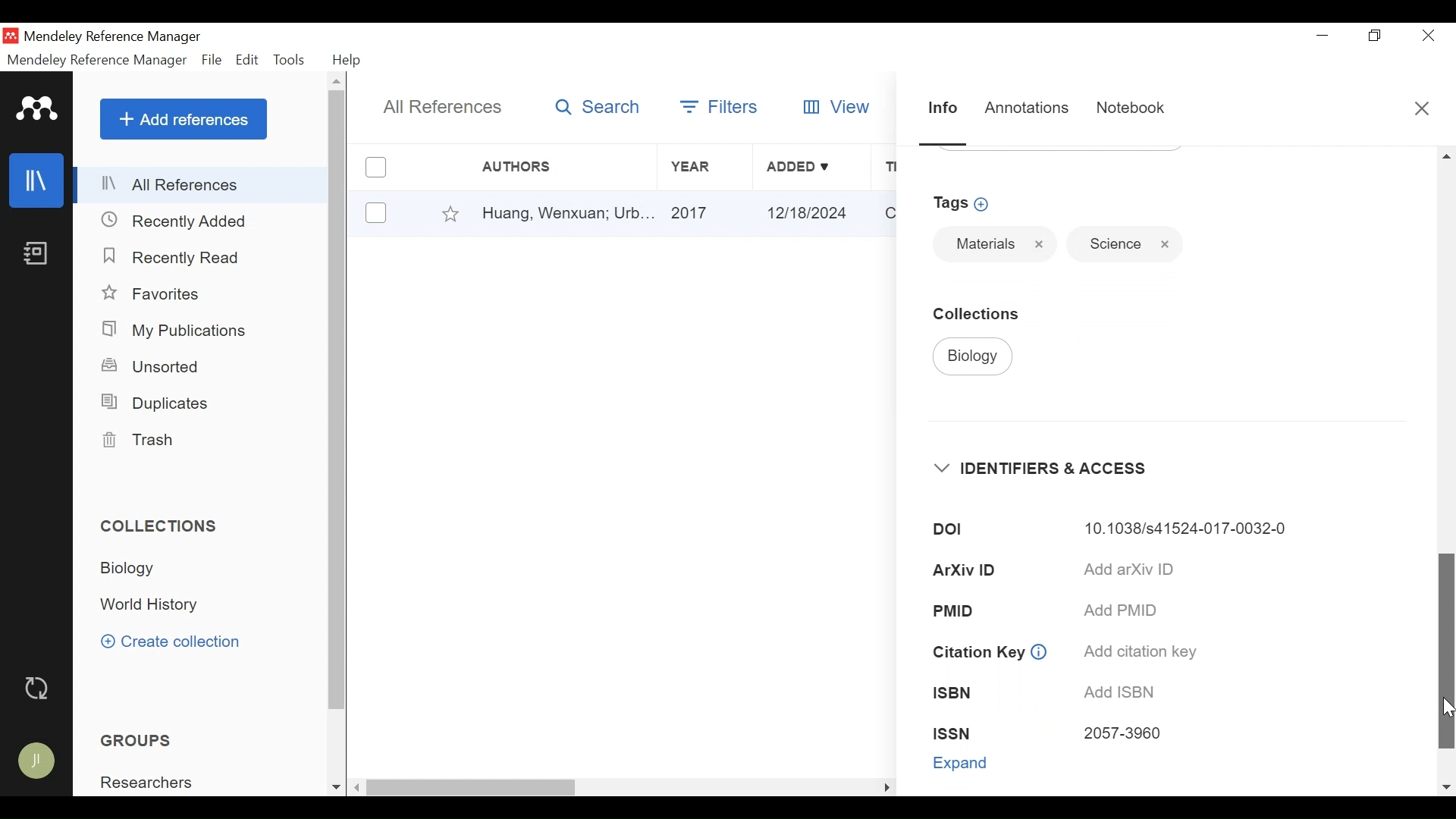 This screenshot has height=819, width=1456. I want to click on Tools, so click(290, 60).